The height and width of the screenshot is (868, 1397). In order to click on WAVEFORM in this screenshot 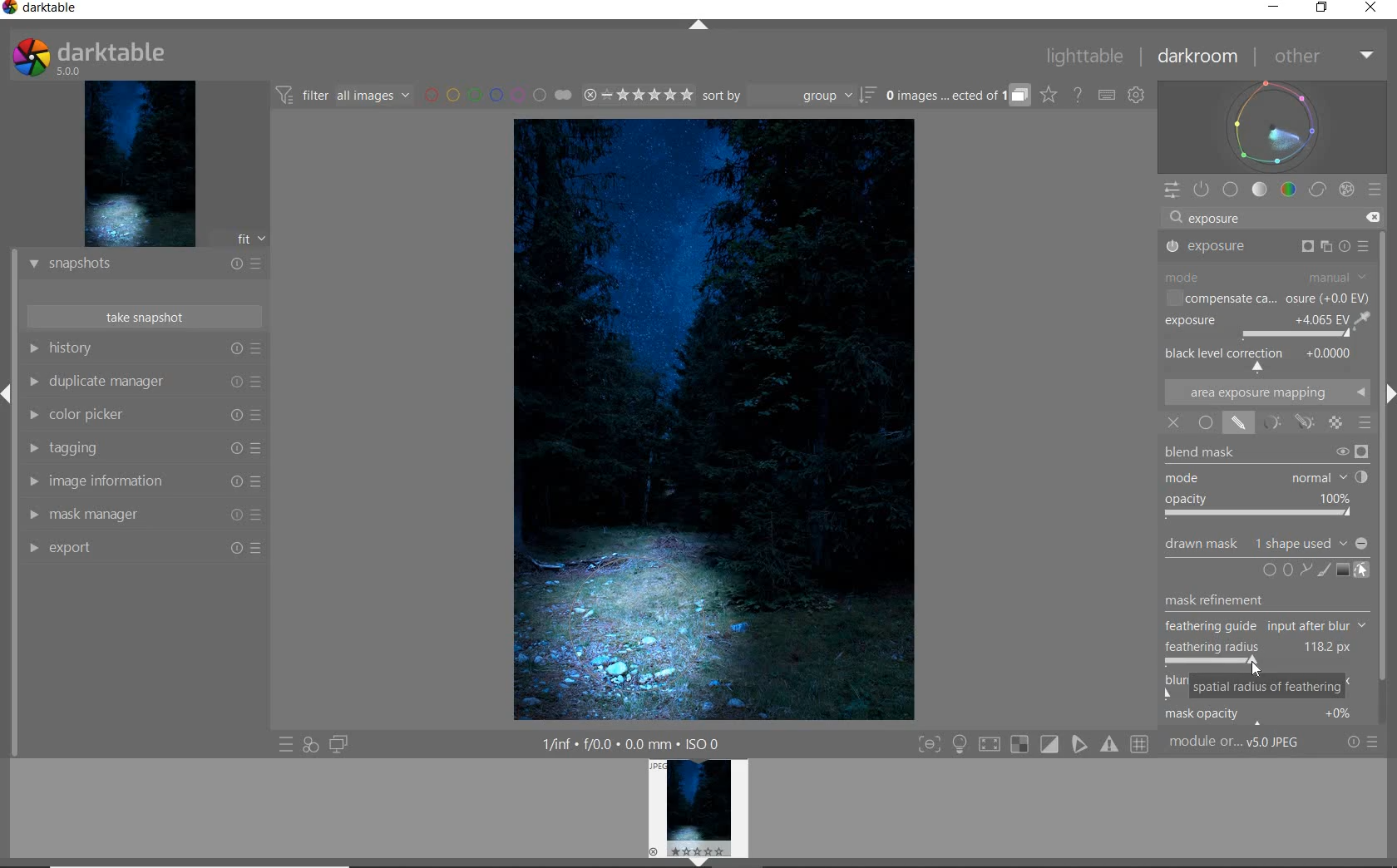, I will do `click(1271, 126)`.